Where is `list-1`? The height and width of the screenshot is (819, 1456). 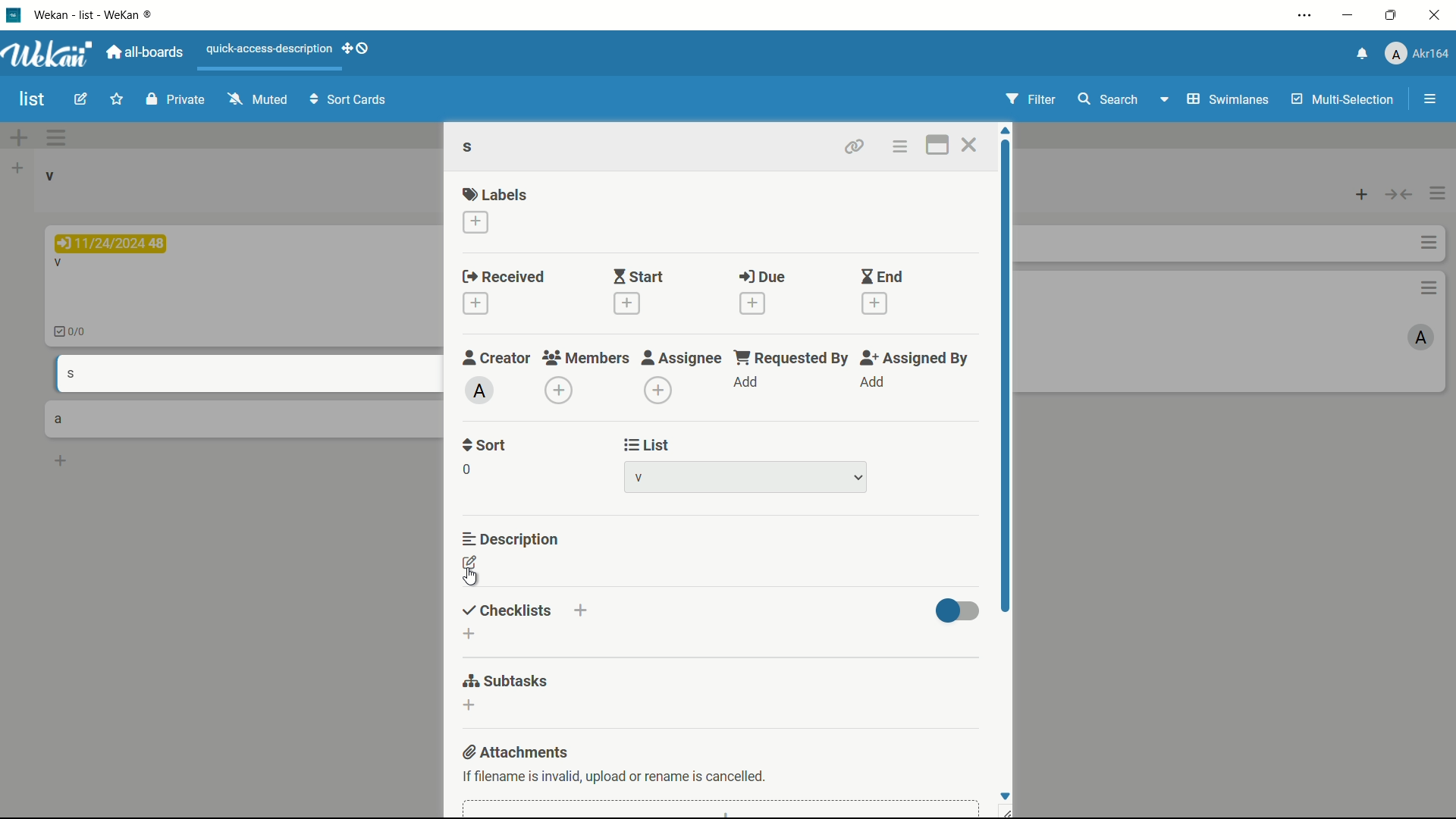 list-1 is located at coordinates (645, 477).